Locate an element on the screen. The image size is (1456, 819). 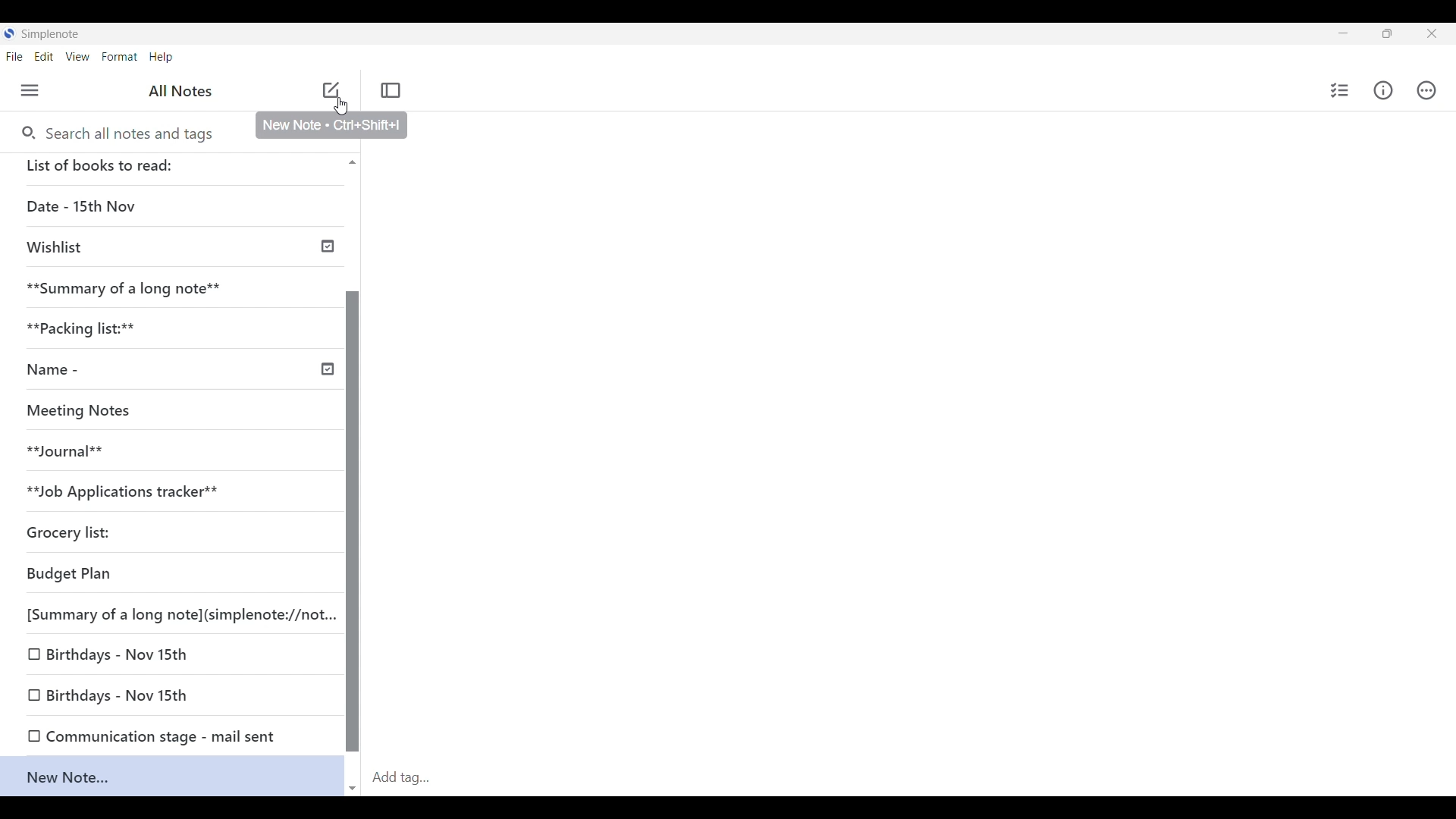
Birthdays - Nov 15th is located at coordinates (171, 654).